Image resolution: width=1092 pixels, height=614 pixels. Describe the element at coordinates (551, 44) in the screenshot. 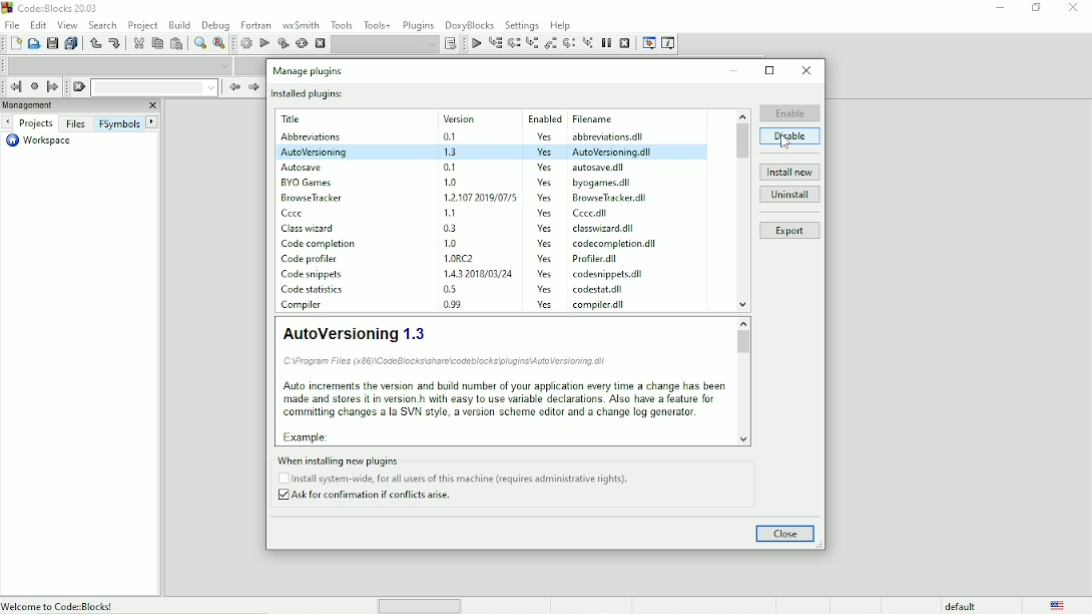

I see `Step out` at that location.